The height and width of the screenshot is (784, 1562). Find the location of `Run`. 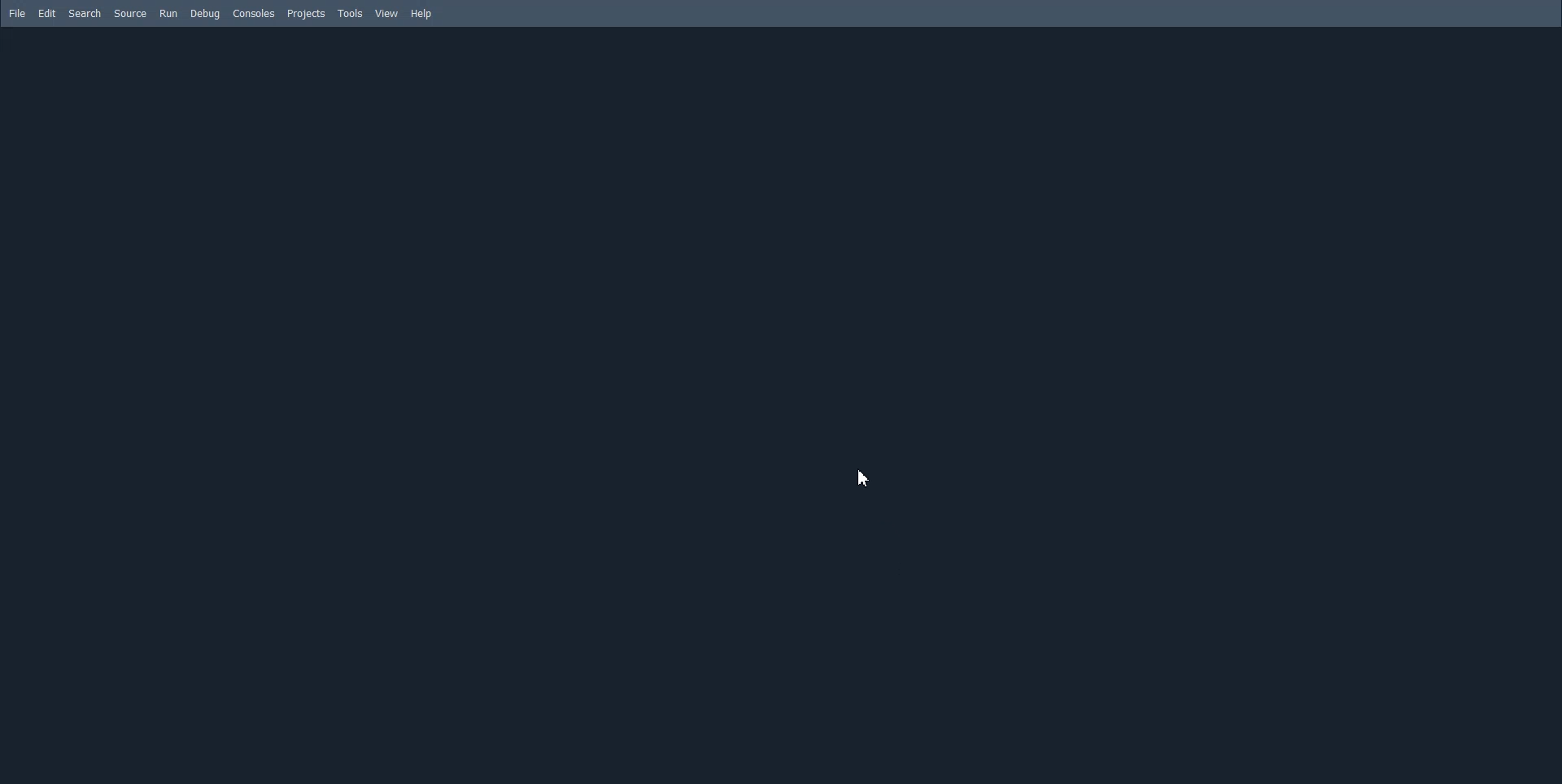

Run is located at coordinates (168, 14).